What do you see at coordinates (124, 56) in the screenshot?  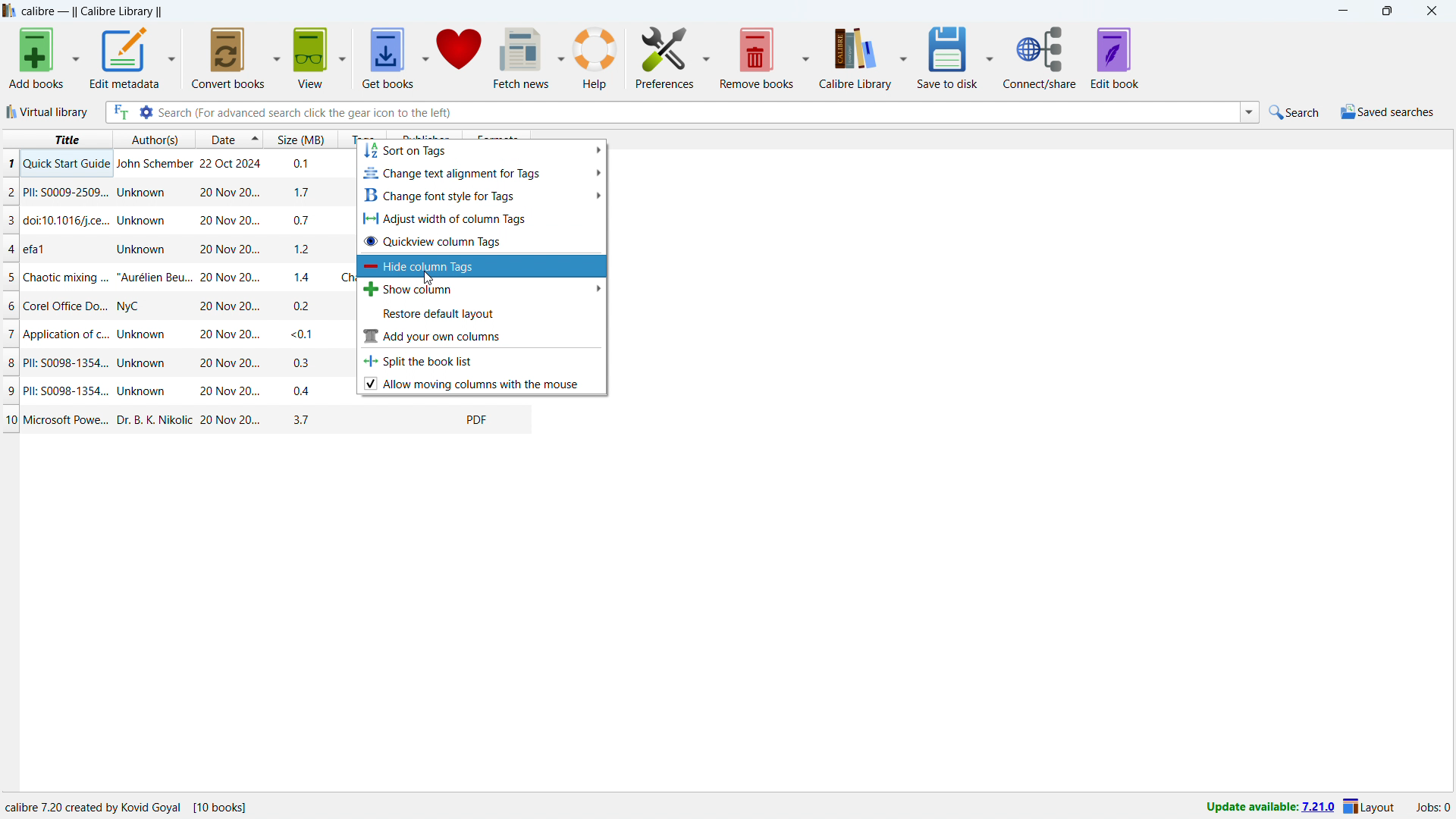 I see `edit metadata` at bounding box center [124, 56].